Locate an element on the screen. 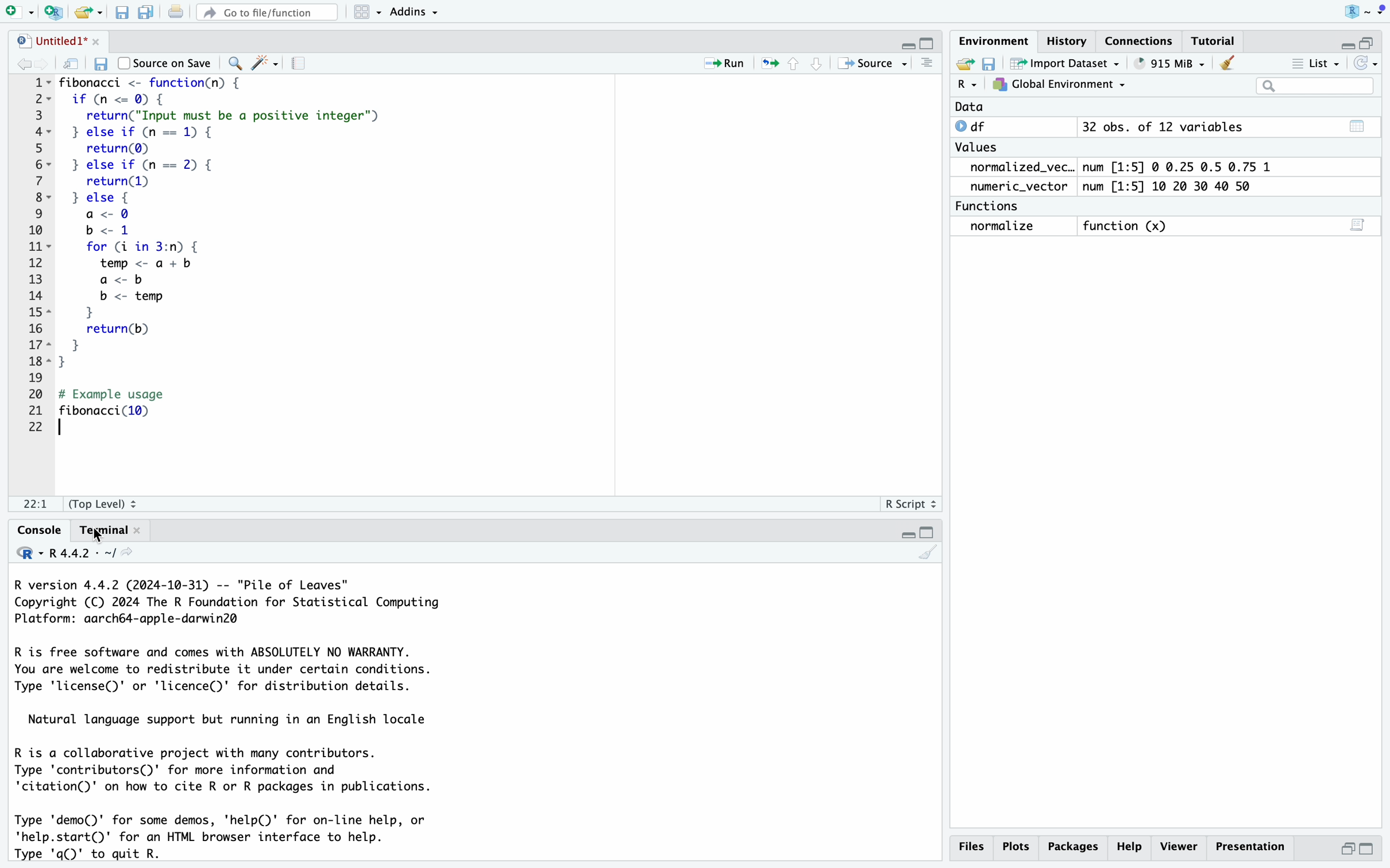 This screenshot has width=1390, height=868. workspace panes is located at coordinates (364, 11).